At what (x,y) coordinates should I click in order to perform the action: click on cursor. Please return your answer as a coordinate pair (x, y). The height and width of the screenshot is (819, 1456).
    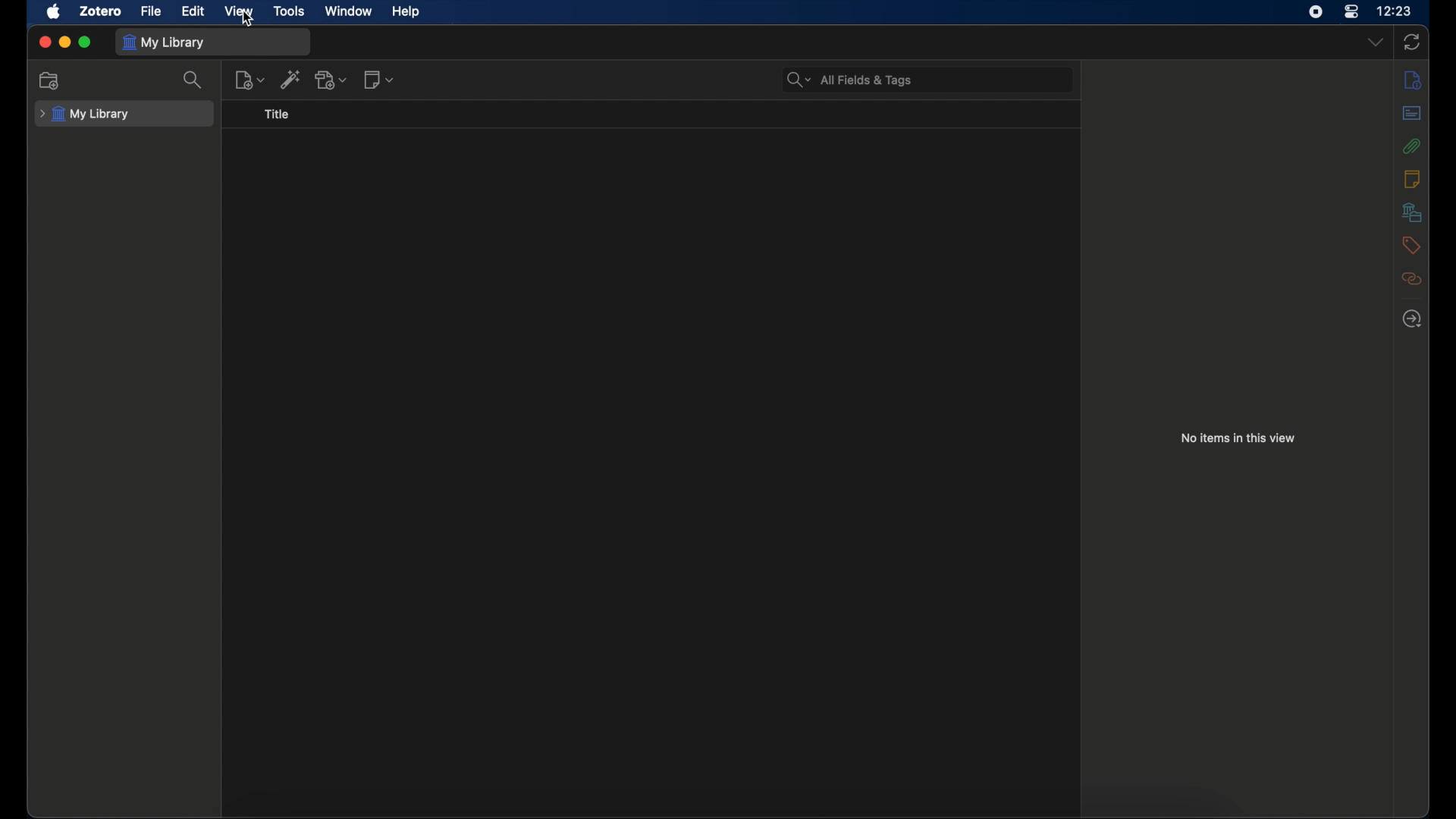
    Looking at the image, I should click on (249, 20).